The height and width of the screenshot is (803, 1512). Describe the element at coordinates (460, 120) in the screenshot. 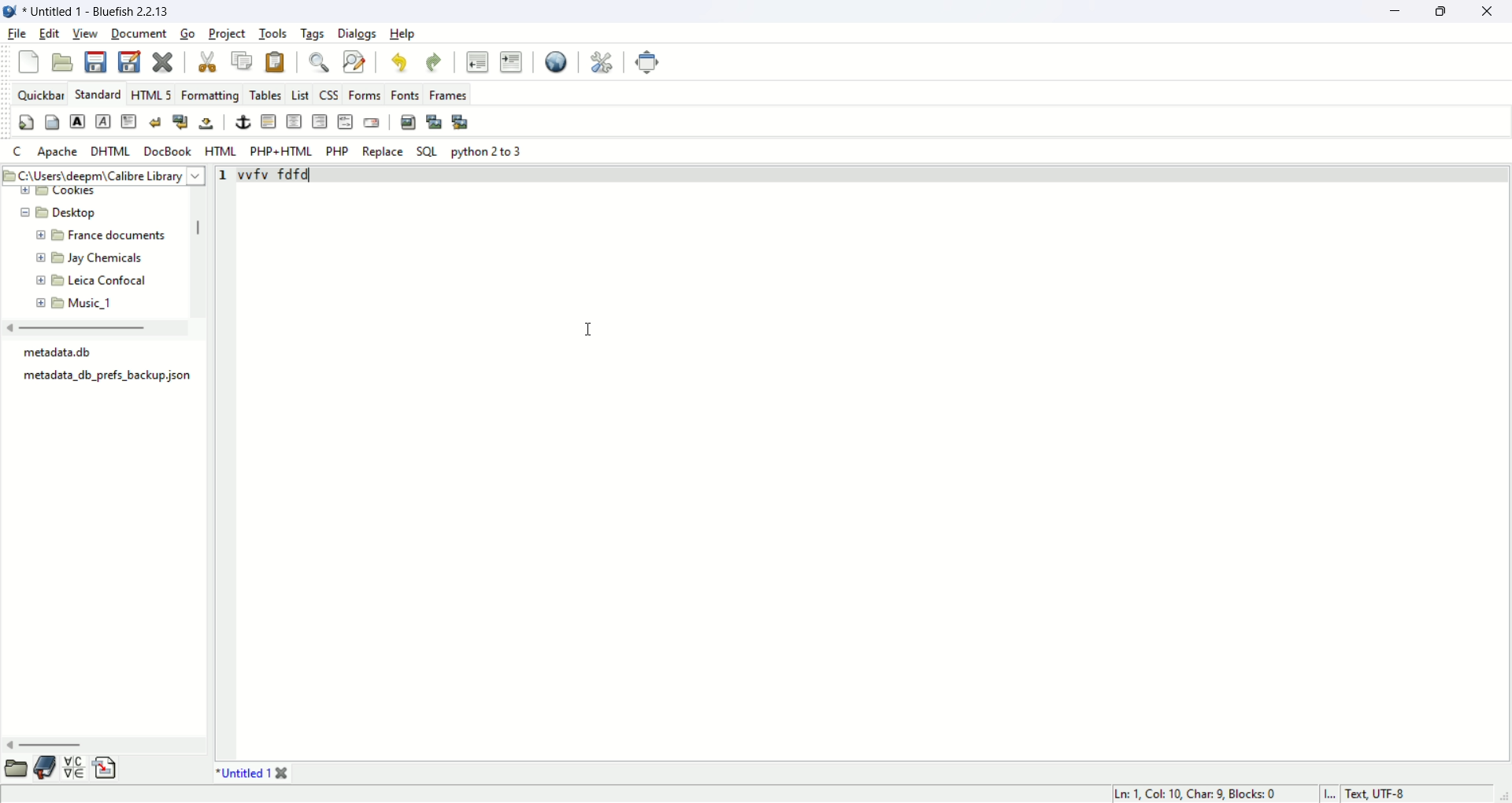

I see `multi thumbnail` at that location.